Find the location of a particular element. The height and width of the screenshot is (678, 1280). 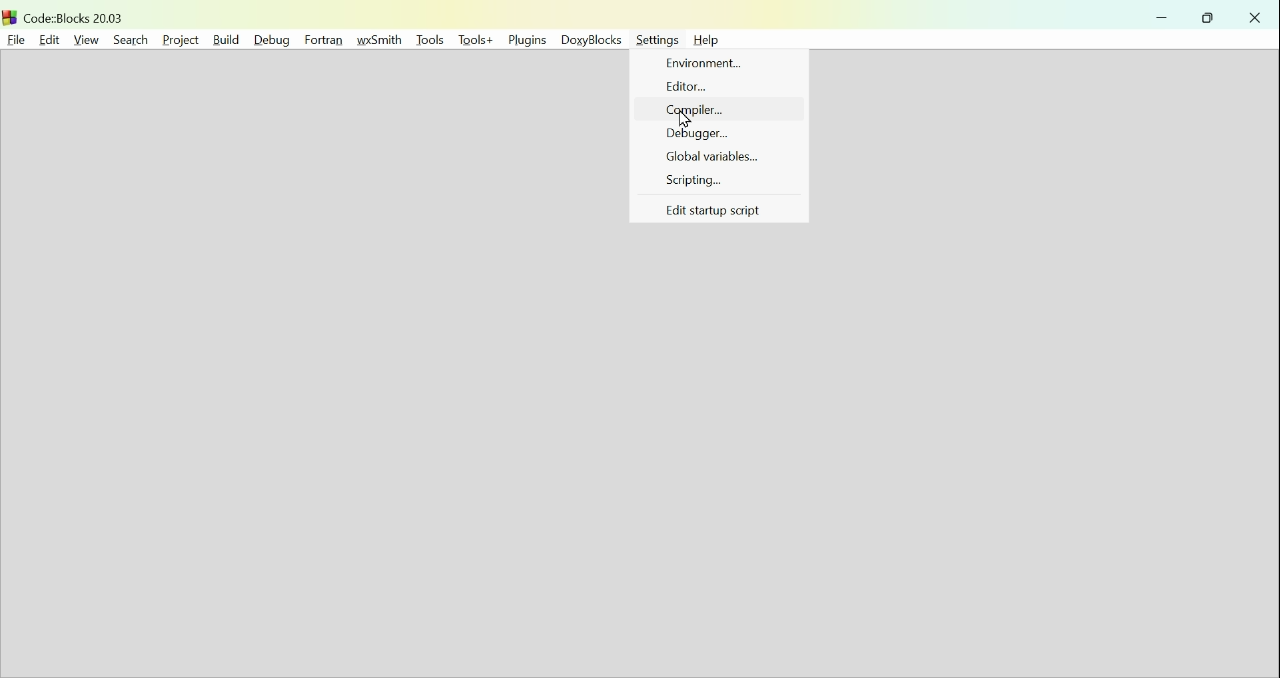

Tools is located at coordinates (431, 40).